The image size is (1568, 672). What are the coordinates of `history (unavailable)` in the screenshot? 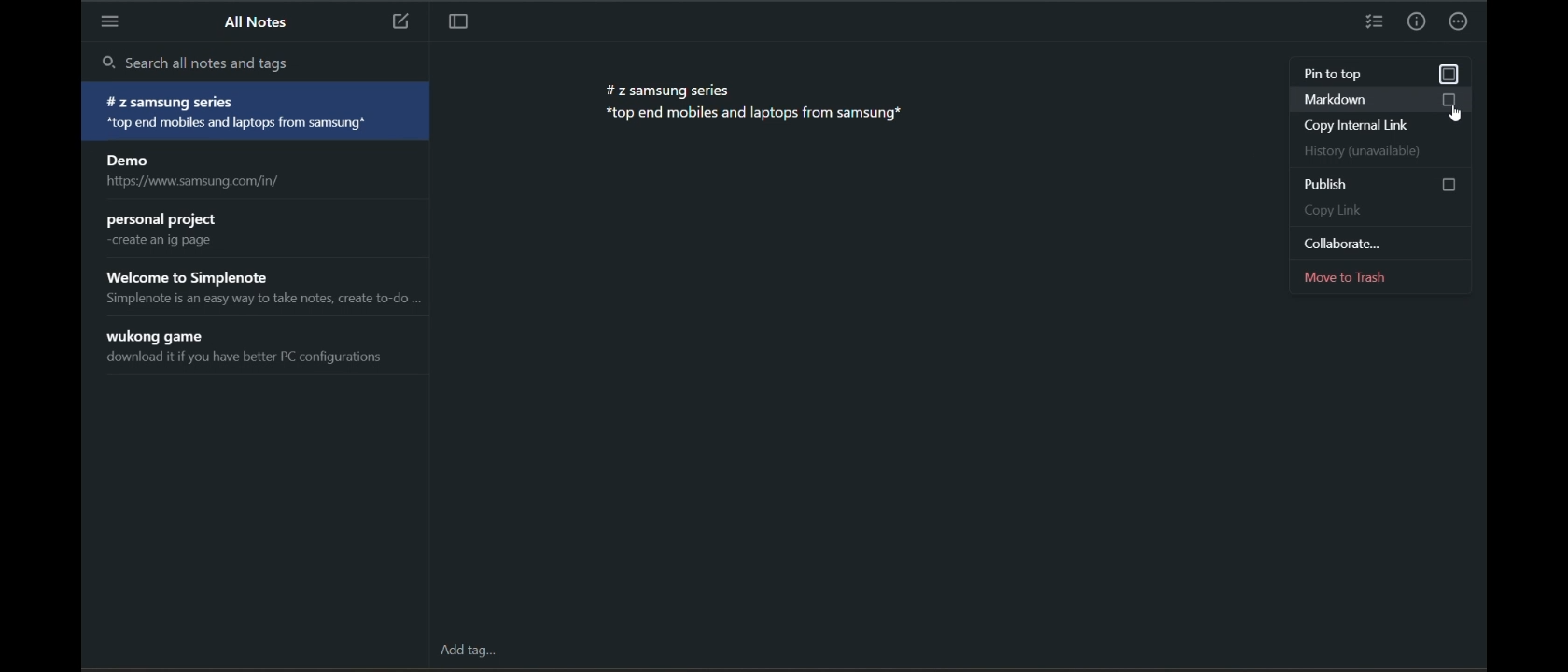 It's located at (1378, 151).